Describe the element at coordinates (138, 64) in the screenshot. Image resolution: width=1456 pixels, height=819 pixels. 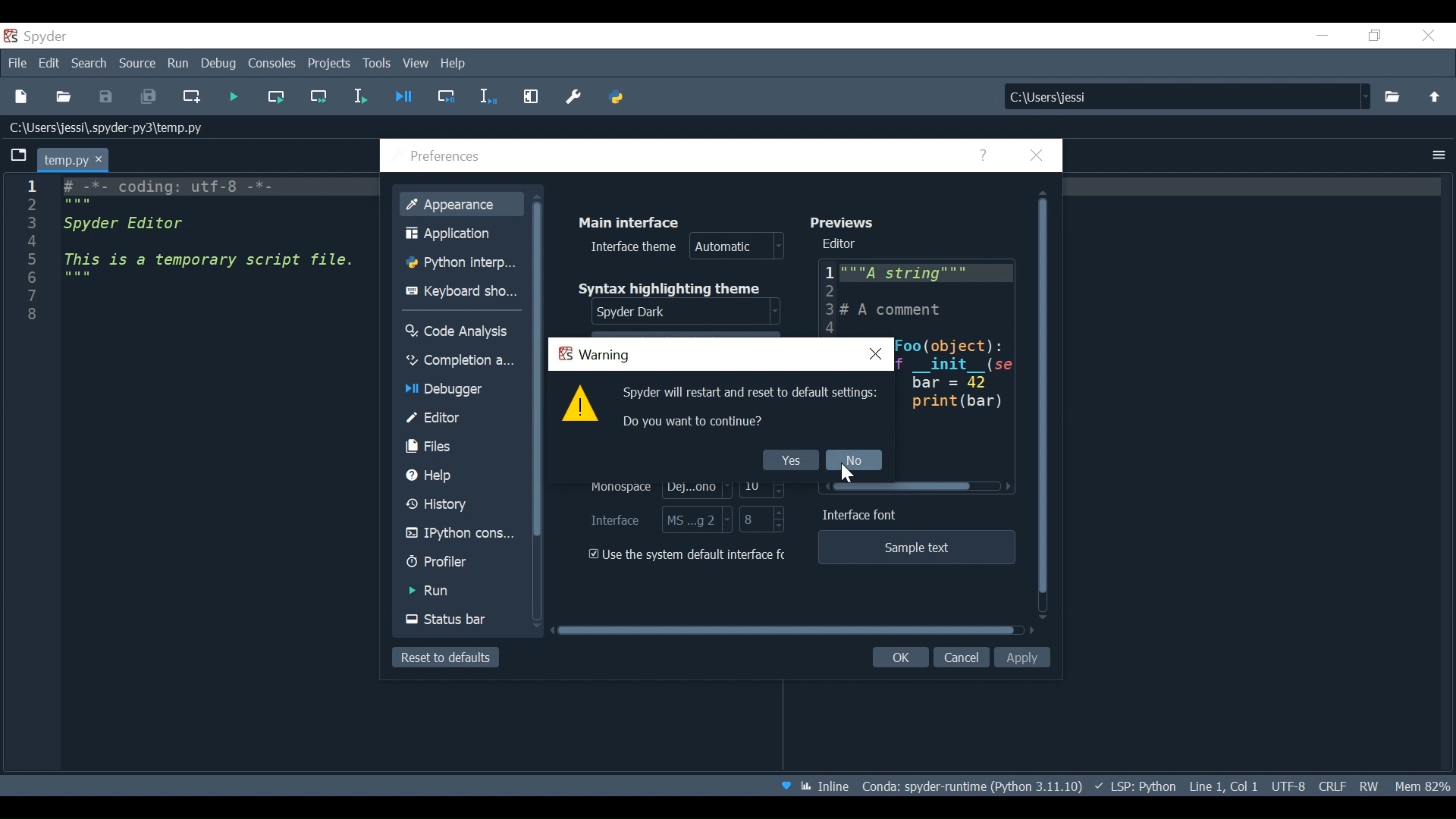
I see `Source` at that location.